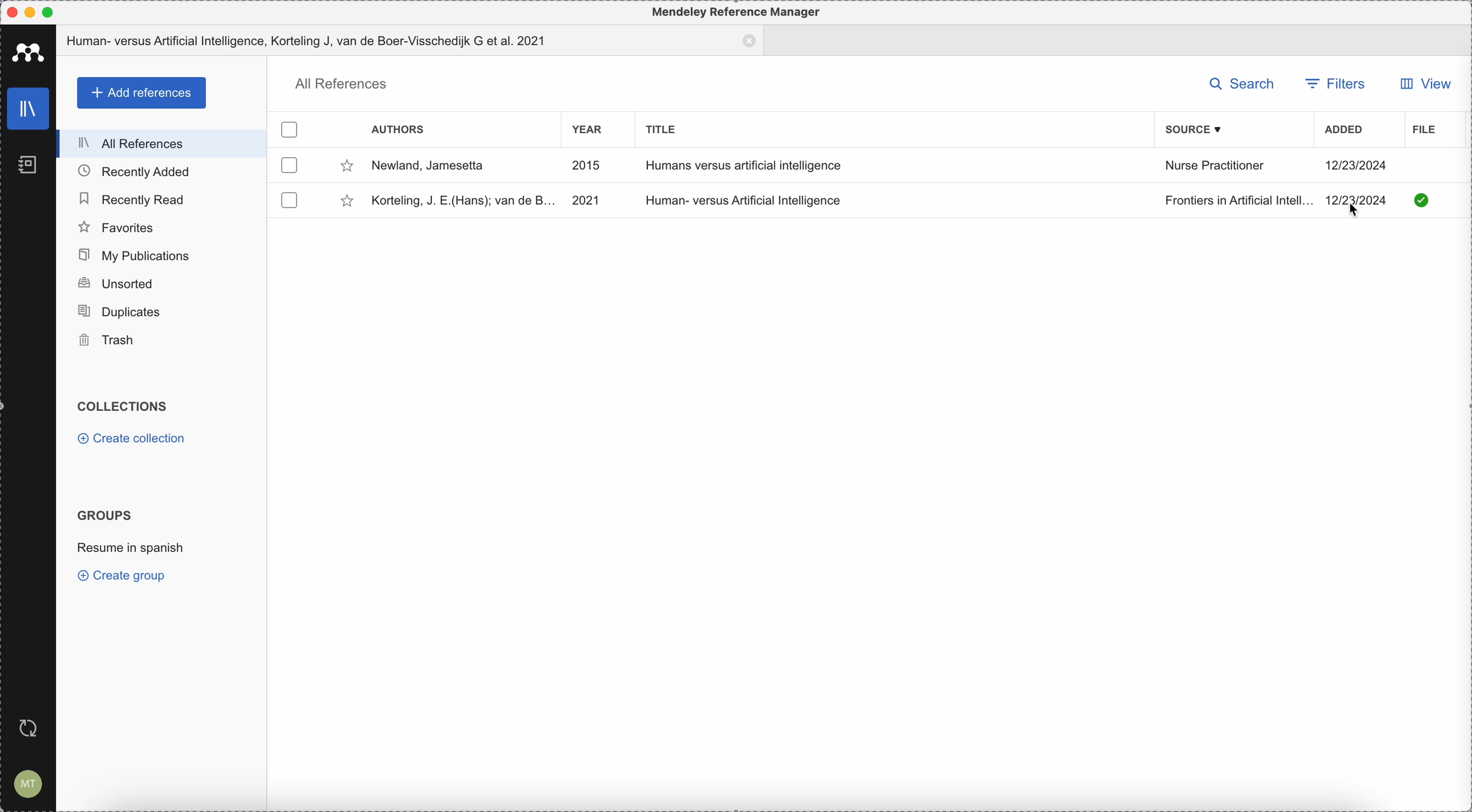  What do you see at coordinates (27, 162) in the screenshot?
I see `notebooks` at bounding box center [27, 162].